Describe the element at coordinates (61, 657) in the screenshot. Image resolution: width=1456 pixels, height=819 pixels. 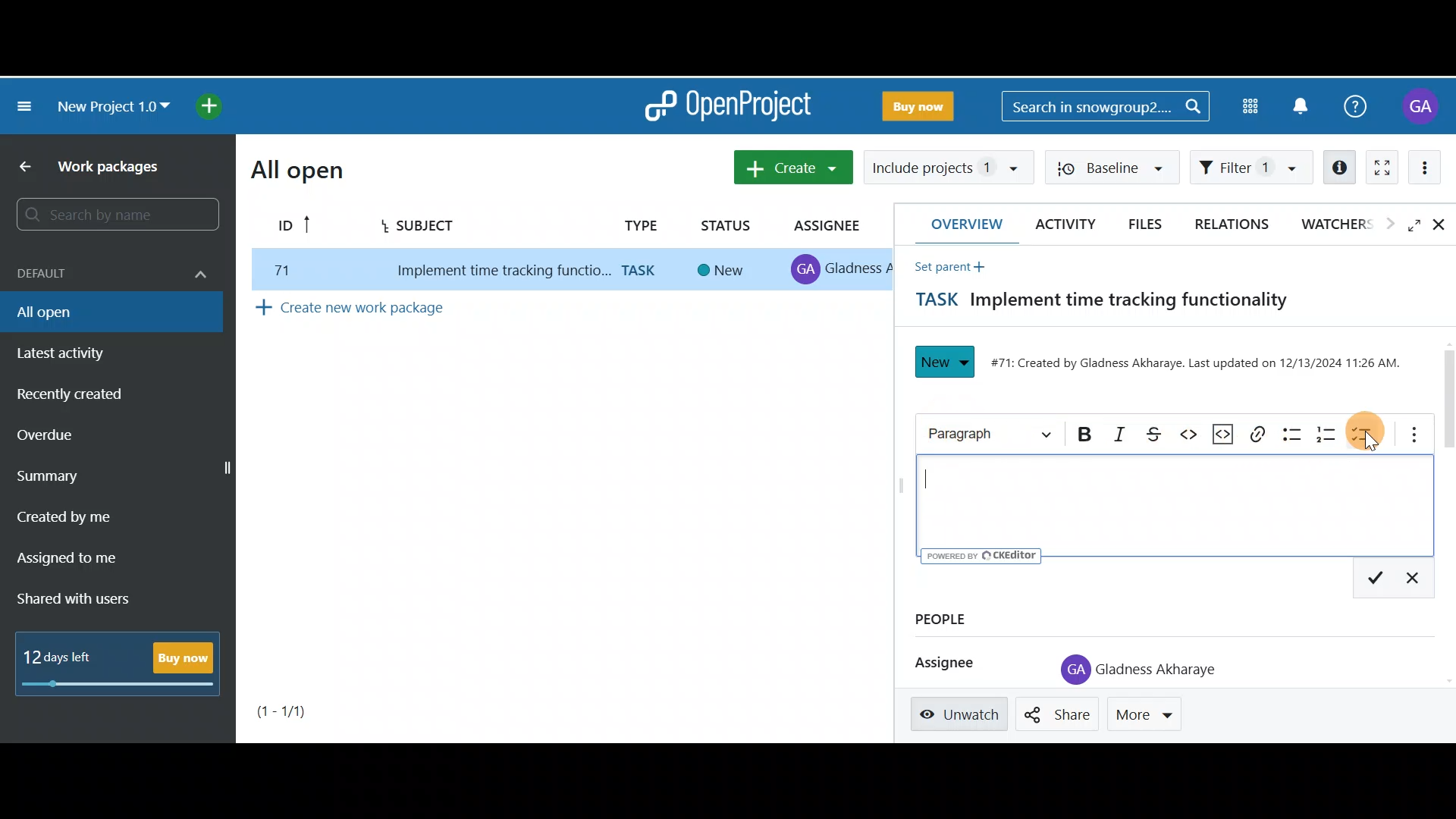
I see `12 days left` at that location.